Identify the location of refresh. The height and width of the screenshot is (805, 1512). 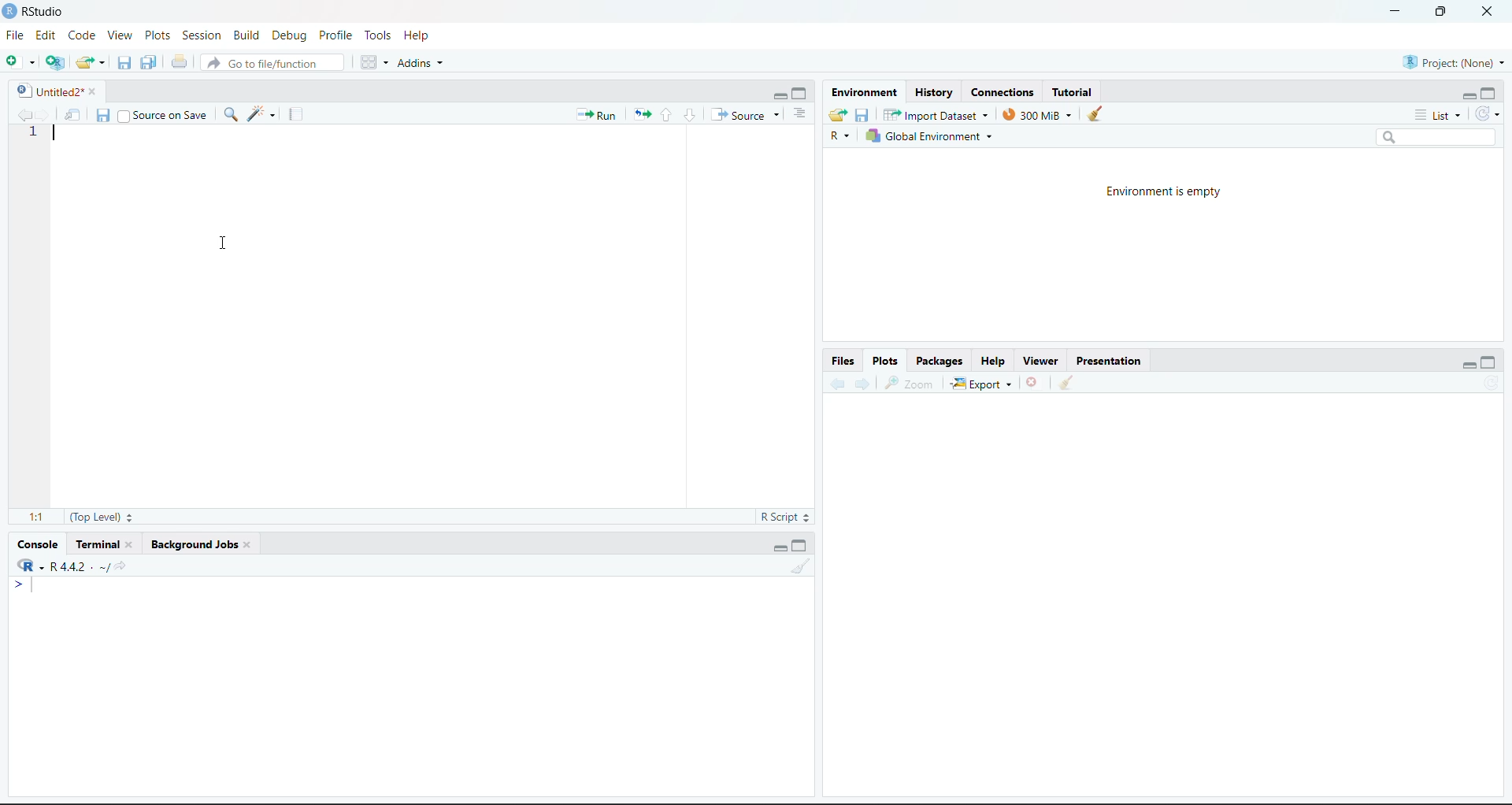
(1489, 116).